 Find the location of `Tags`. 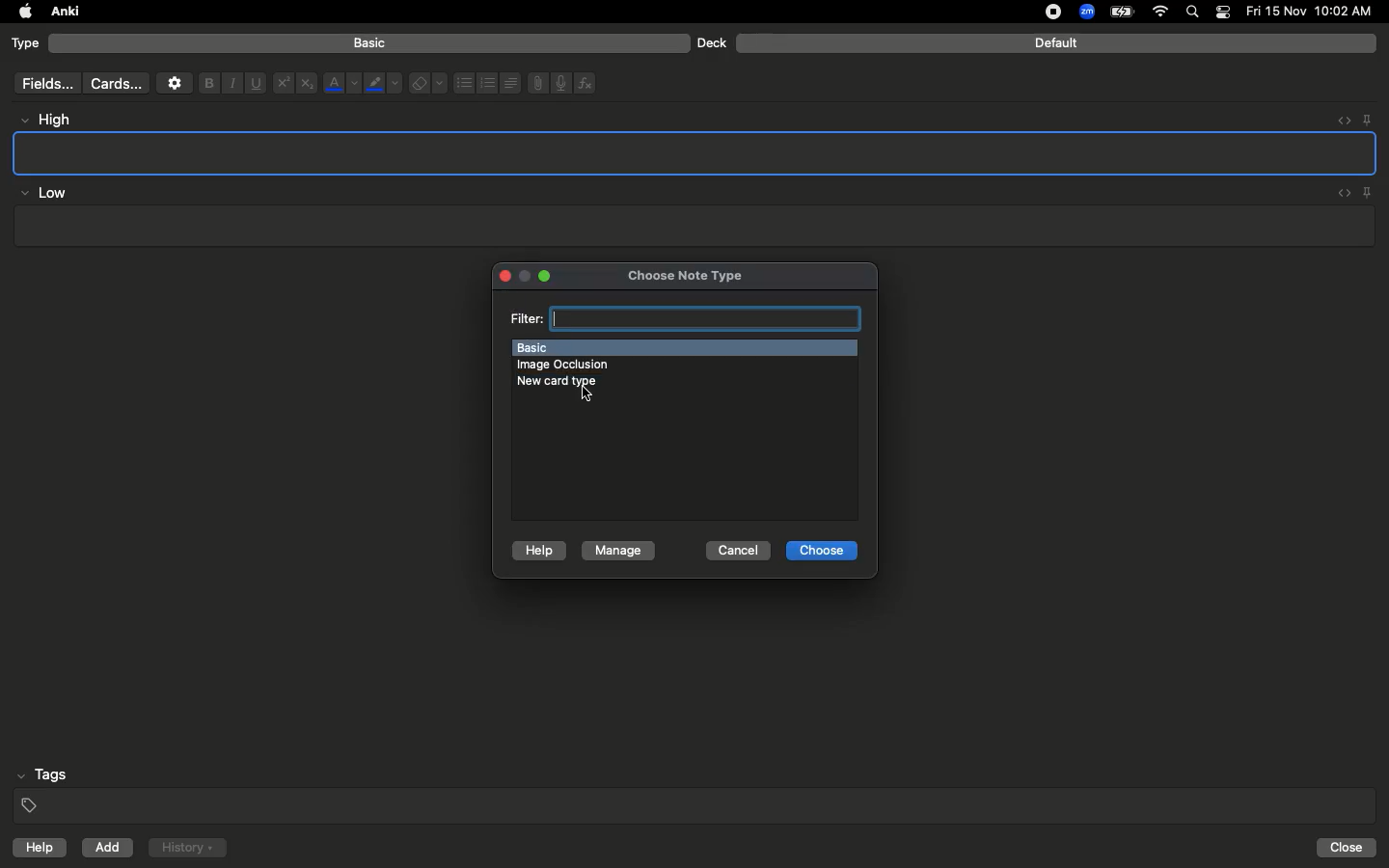

Tags is located at coordinates (696, 791).